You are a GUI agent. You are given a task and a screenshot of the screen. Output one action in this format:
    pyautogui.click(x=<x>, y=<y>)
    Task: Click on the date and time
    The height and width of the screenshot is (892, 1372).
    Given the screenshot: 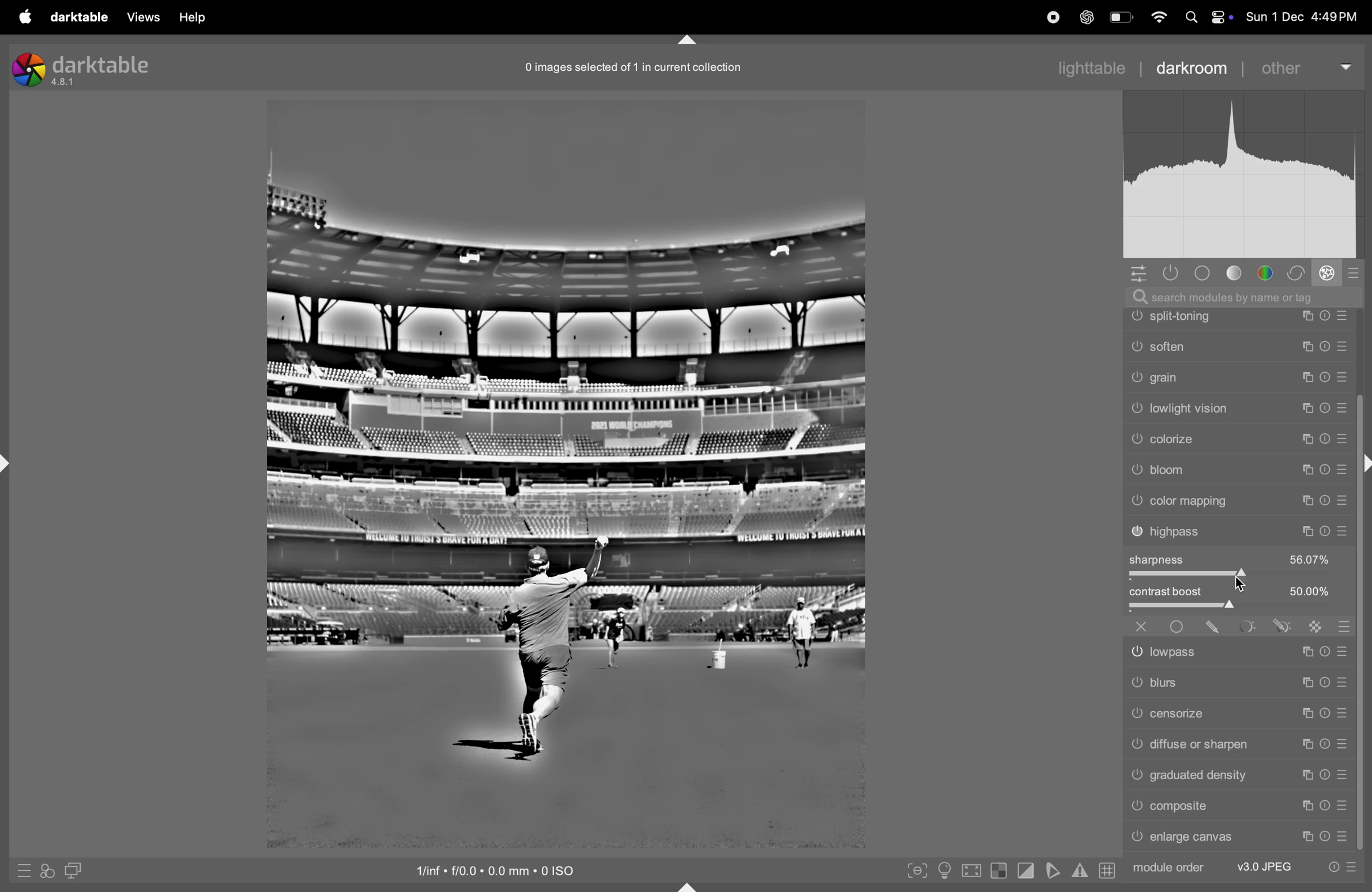 What is the action you would take?
    pyautogui.click(x=1305, y=17)
    